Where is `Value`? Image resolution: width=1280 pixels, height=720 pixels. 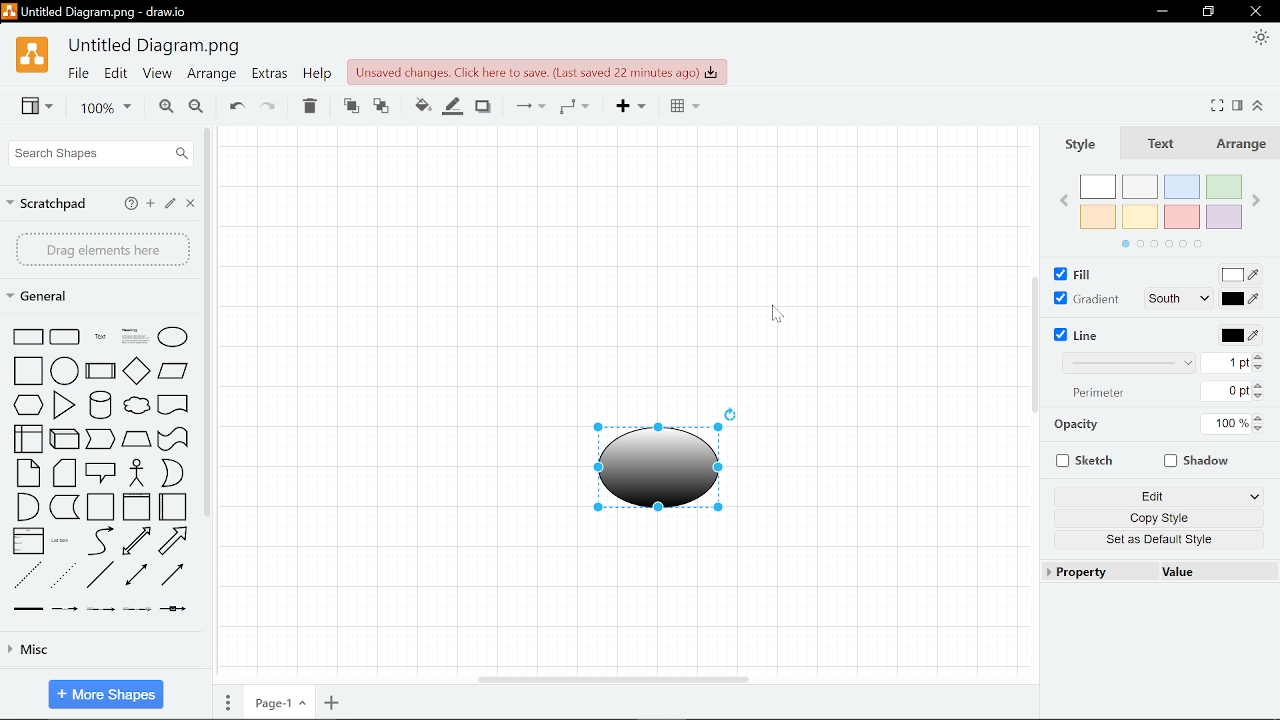
Value is located at coordinates (1213, 572).